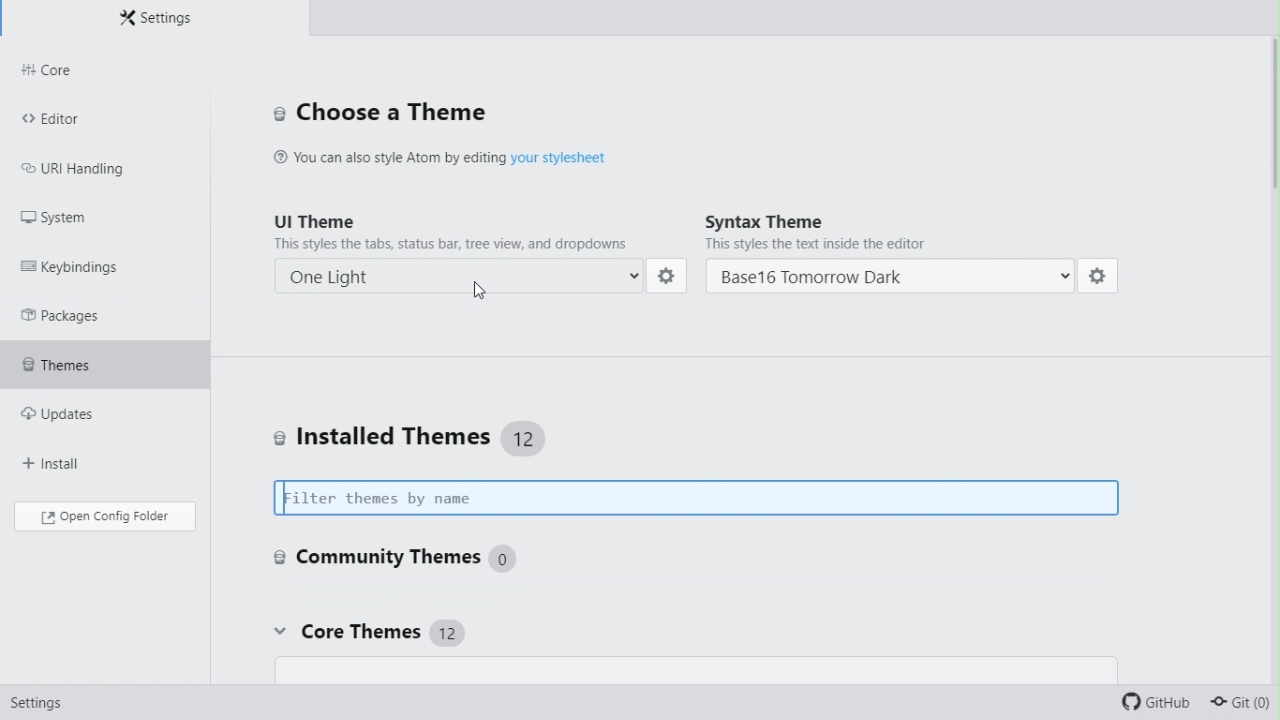 This screenshot has height=720, width=1280. Describe the element at coordinates (87, 164) in the screenshot. I see `URL handling` at that location.